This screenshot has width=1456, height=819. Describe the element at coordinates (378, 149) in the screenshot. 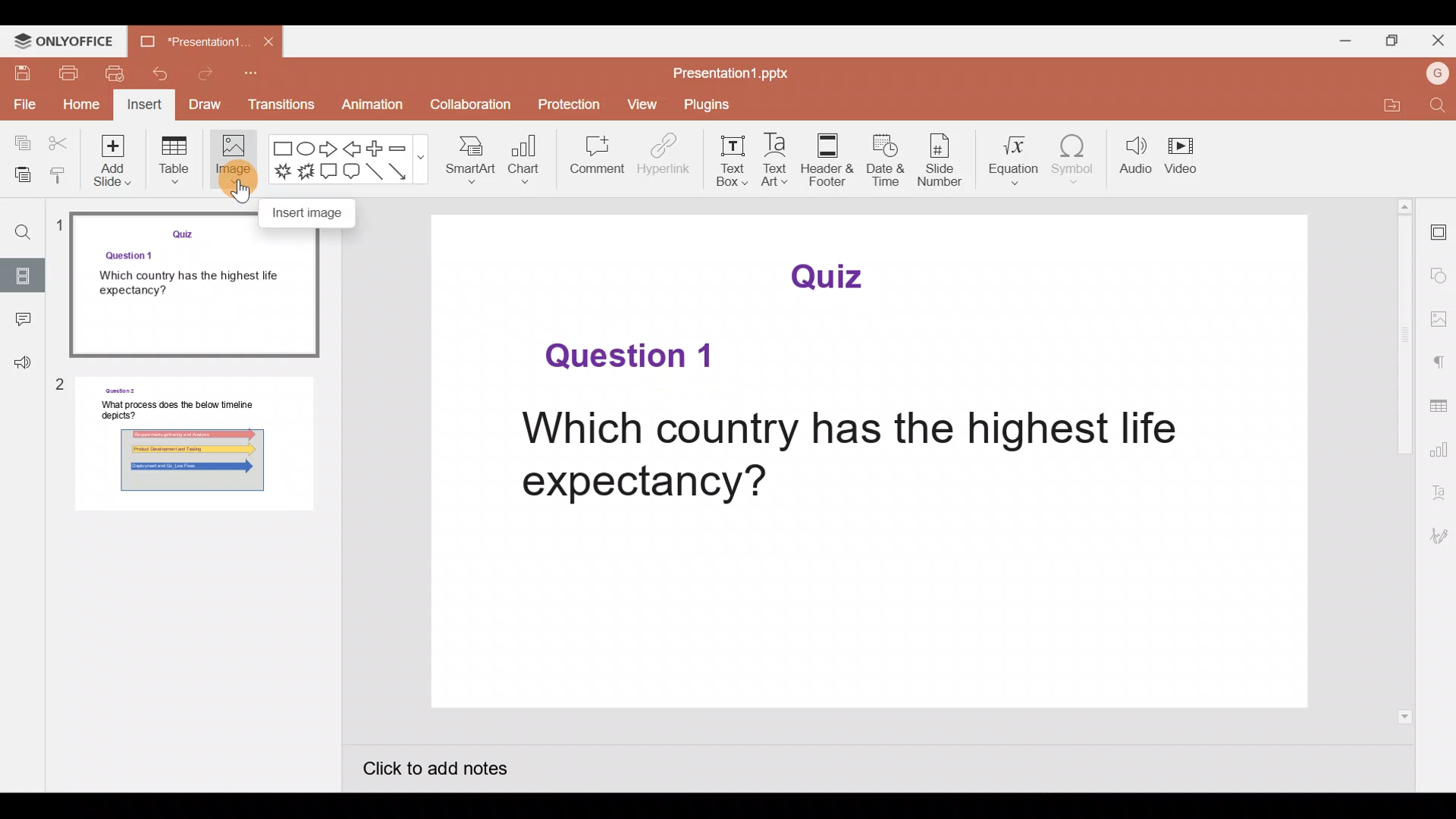

I see `Plus` at that location.